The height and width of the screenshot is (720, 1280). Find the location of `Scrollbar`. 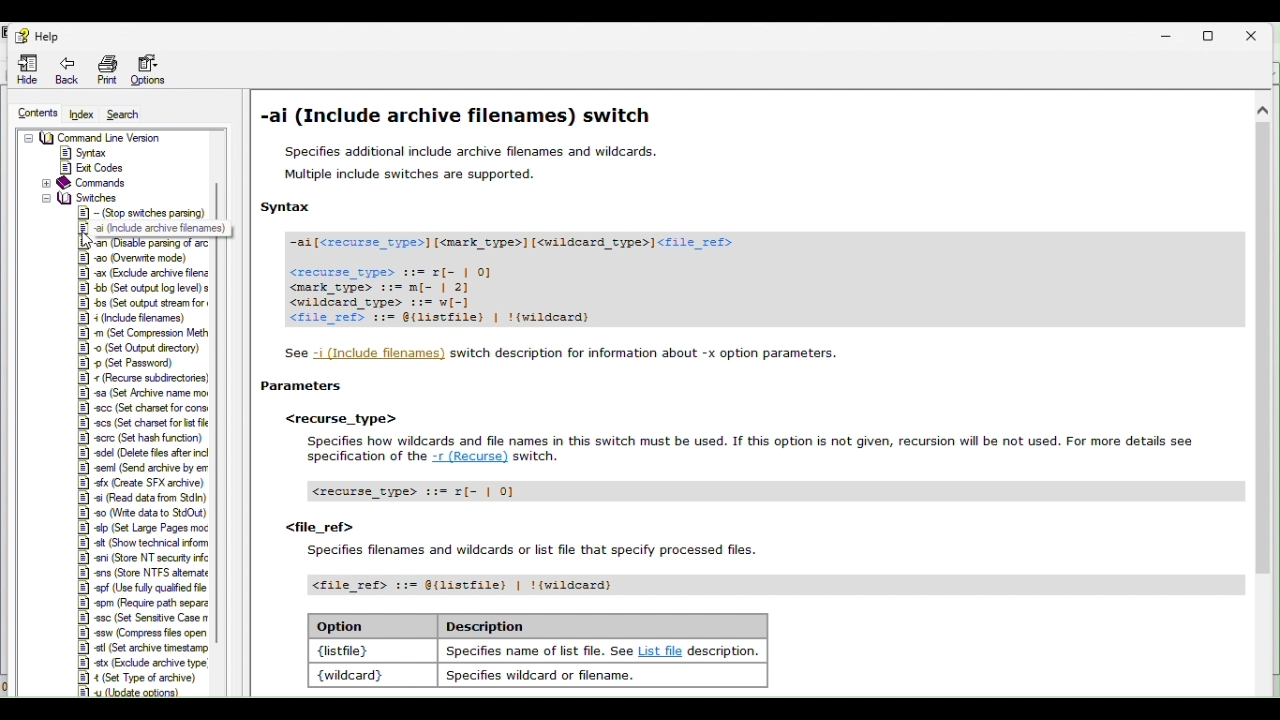

Scrollbar is located at coordinates (1263, 401).